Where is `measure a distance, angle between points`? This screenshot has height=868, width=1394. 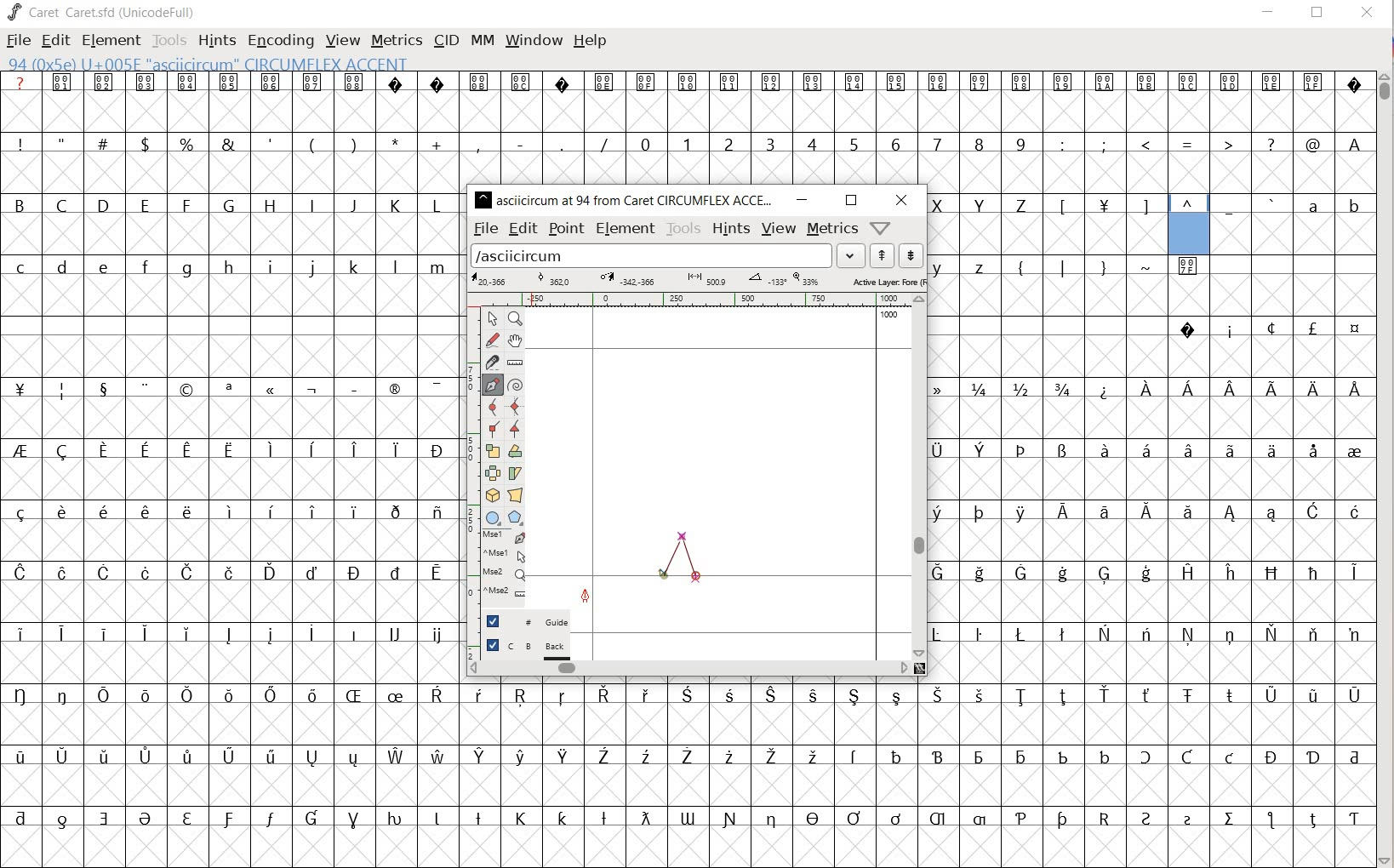 measure a distance, angle between points is located at coordinates (517, 362).